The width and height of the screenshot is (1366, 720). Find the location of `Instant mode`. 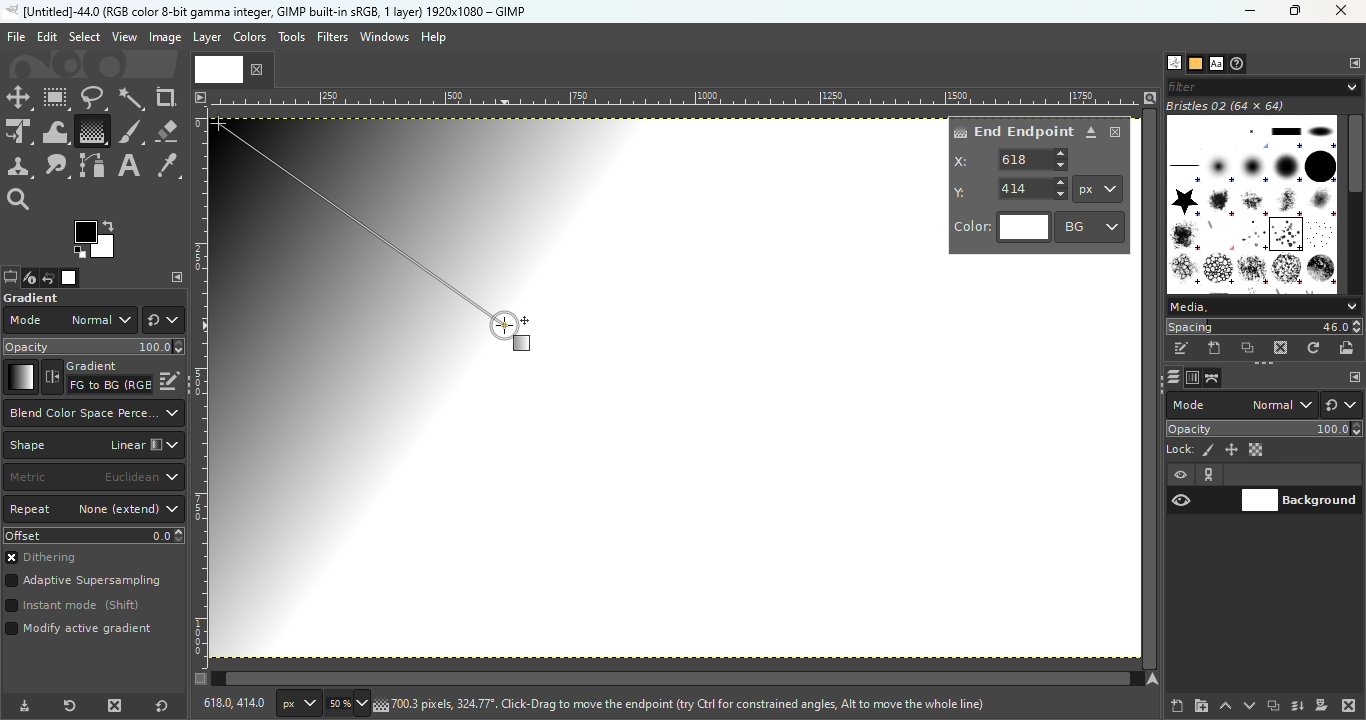

Instant mode is located at coordinates (71, 607).